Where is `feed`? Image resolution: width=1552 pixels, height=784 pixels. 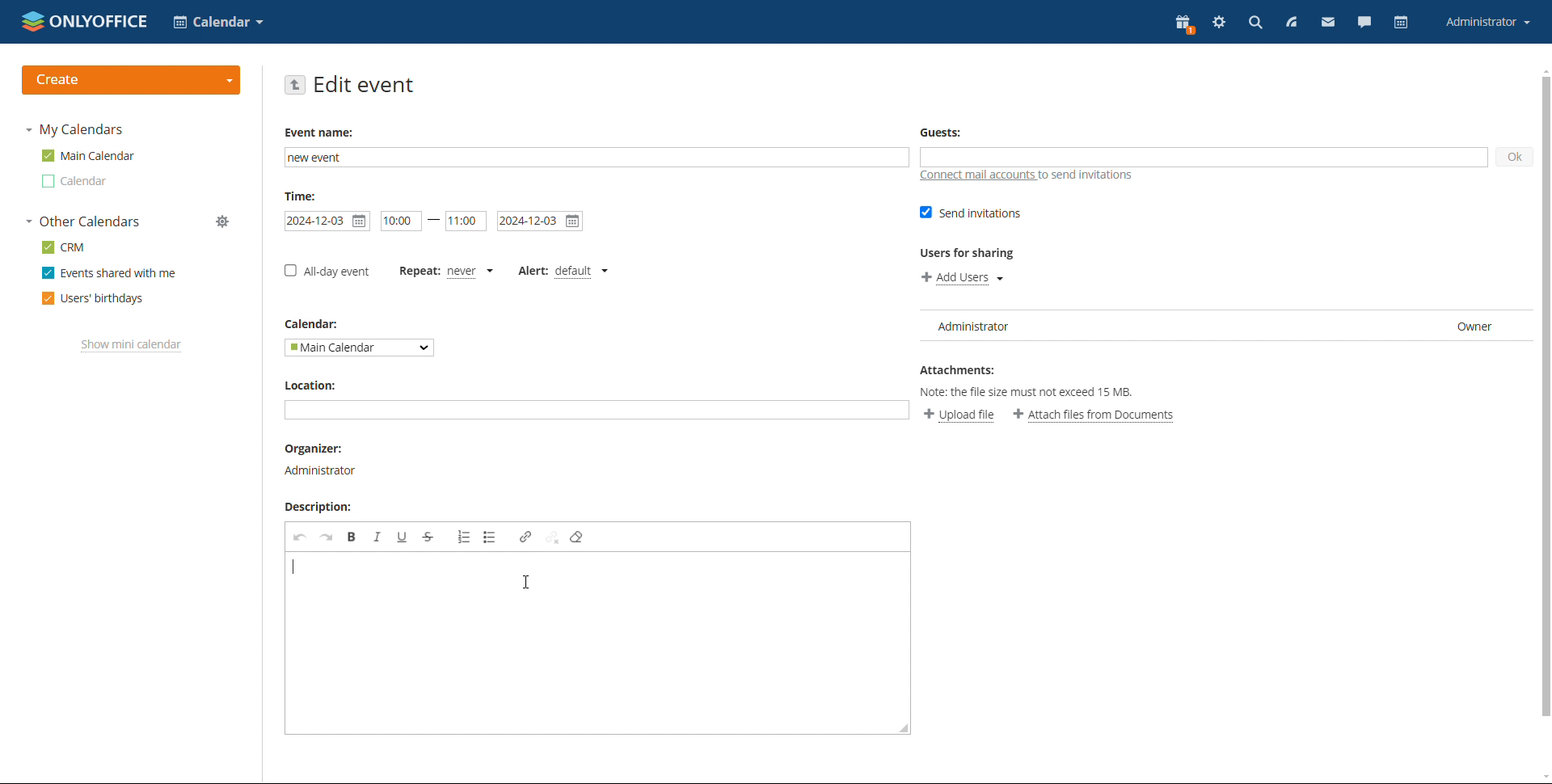
feed is located at coordinates (1291, 23).